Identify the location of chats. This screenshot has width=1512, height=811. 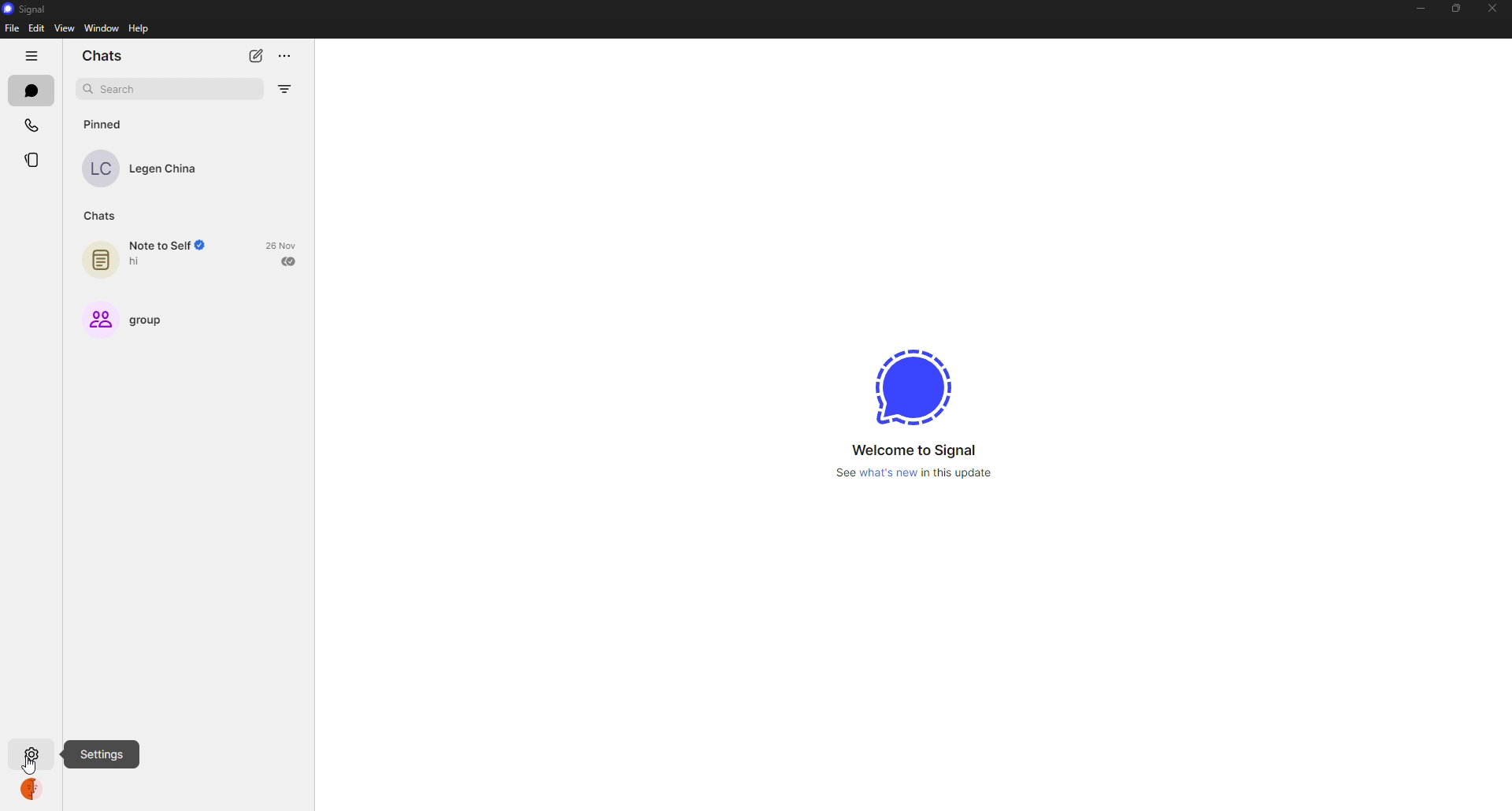
(102, 216).